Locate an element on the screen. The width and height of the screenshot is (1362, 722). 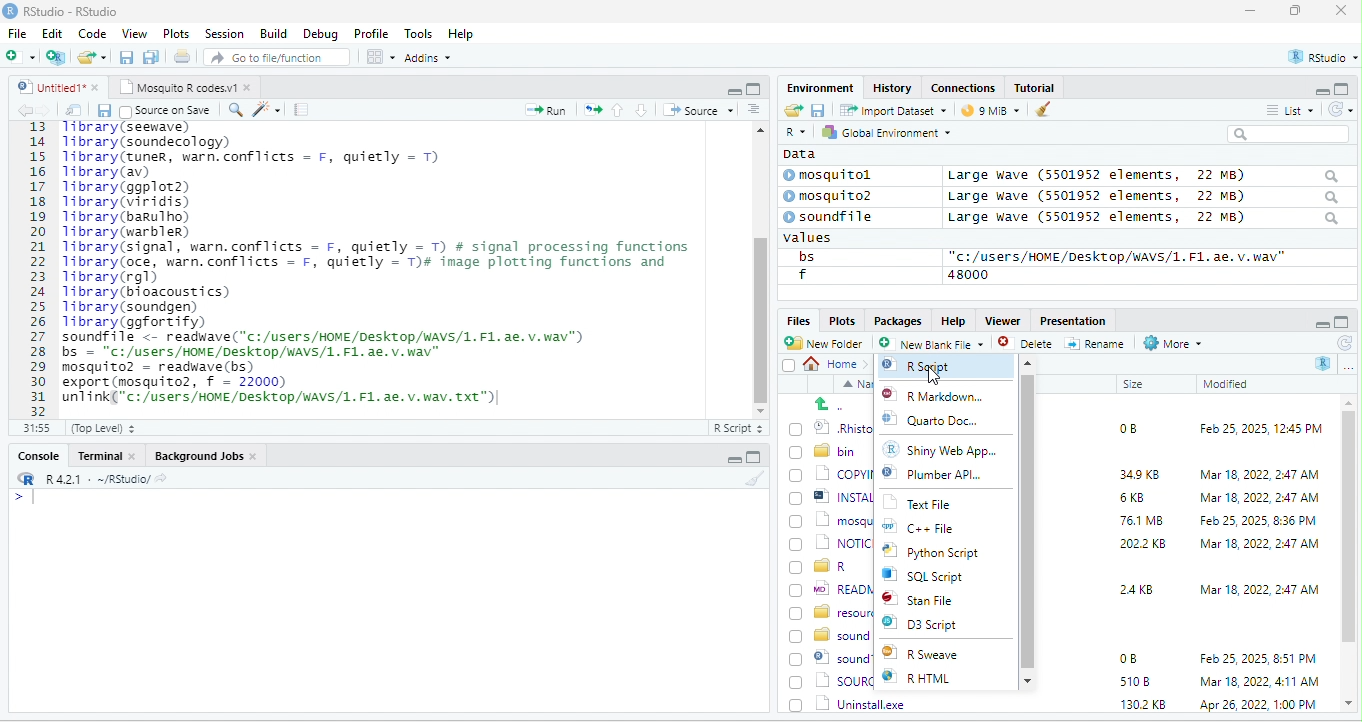
go back is located at coordinates (837, 404).